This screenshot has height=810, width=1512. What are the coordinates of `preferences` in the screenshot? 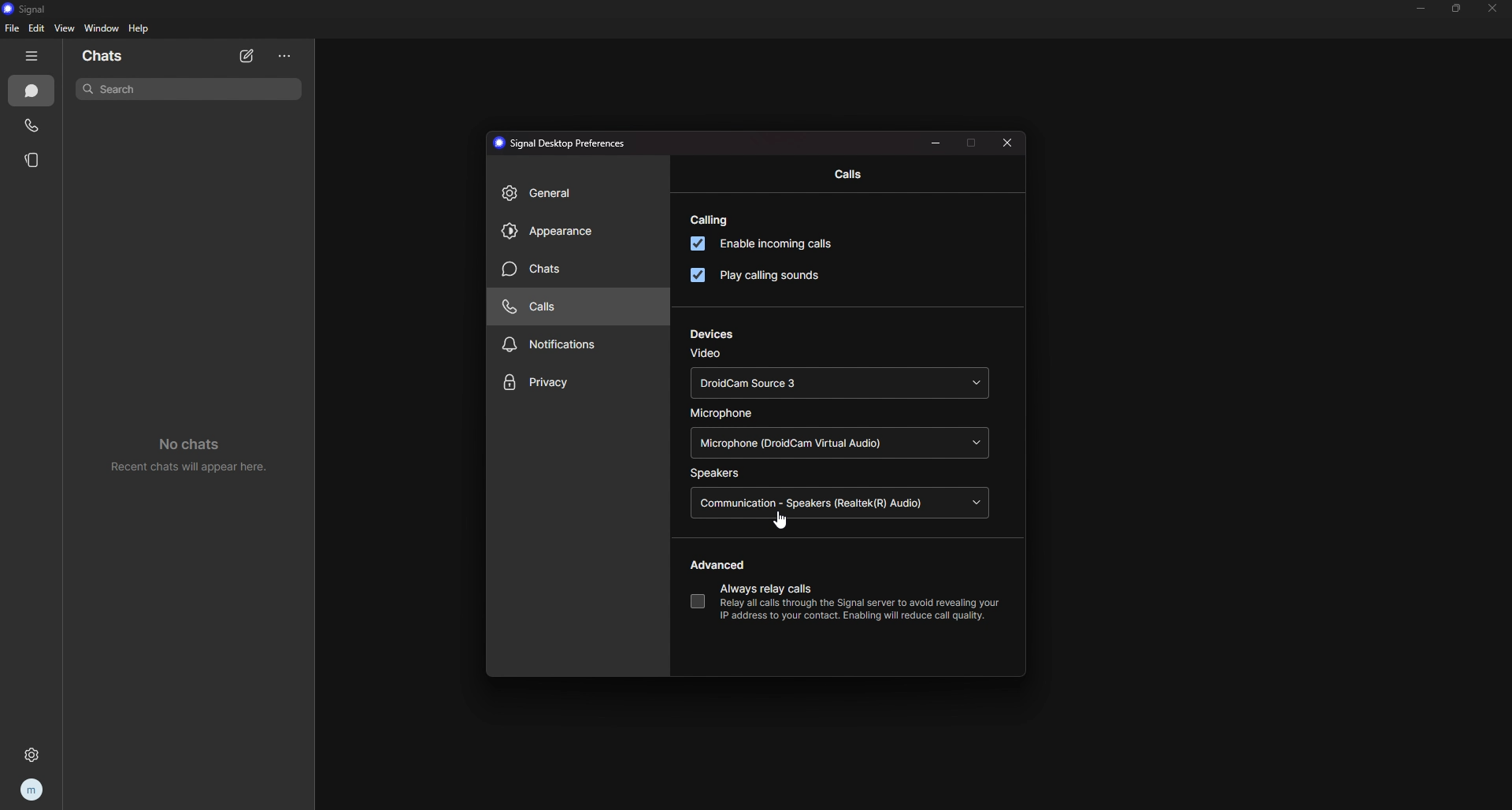 It's located at (564, 143).